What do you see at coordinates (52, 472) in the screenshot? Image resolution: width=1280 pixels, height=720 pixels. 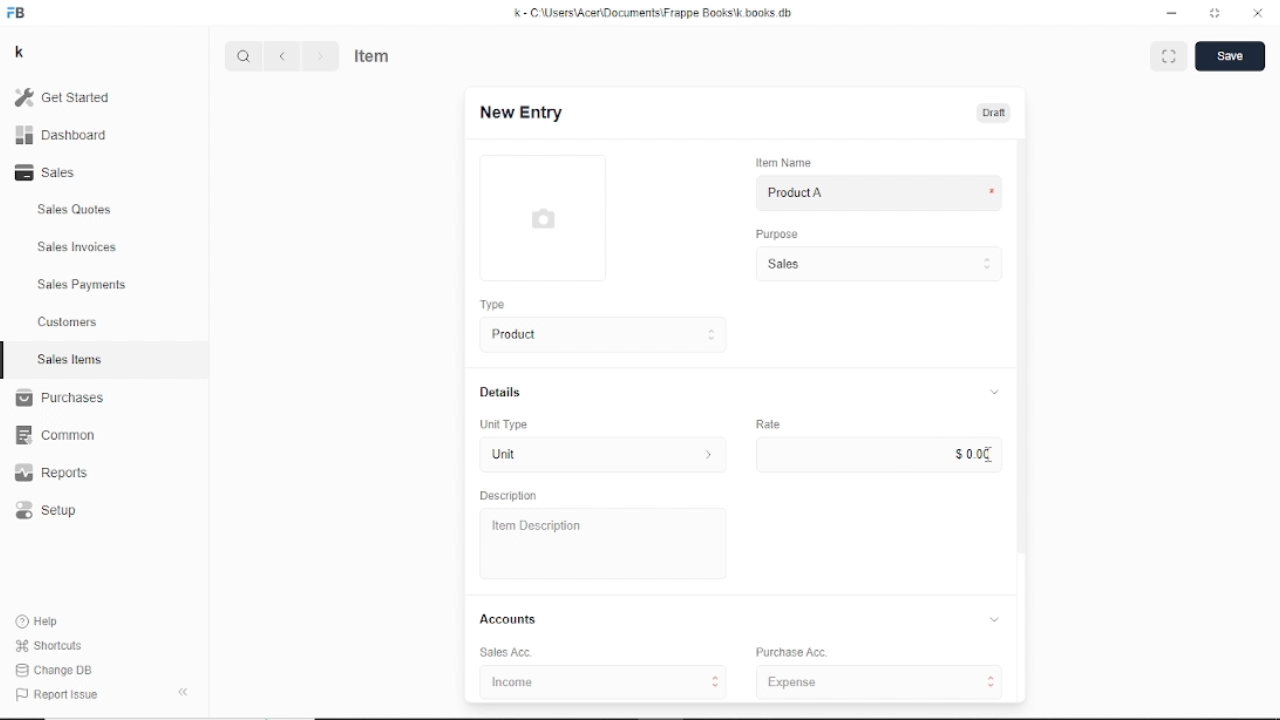 I see `Reports` at bounding box center [52, 472].